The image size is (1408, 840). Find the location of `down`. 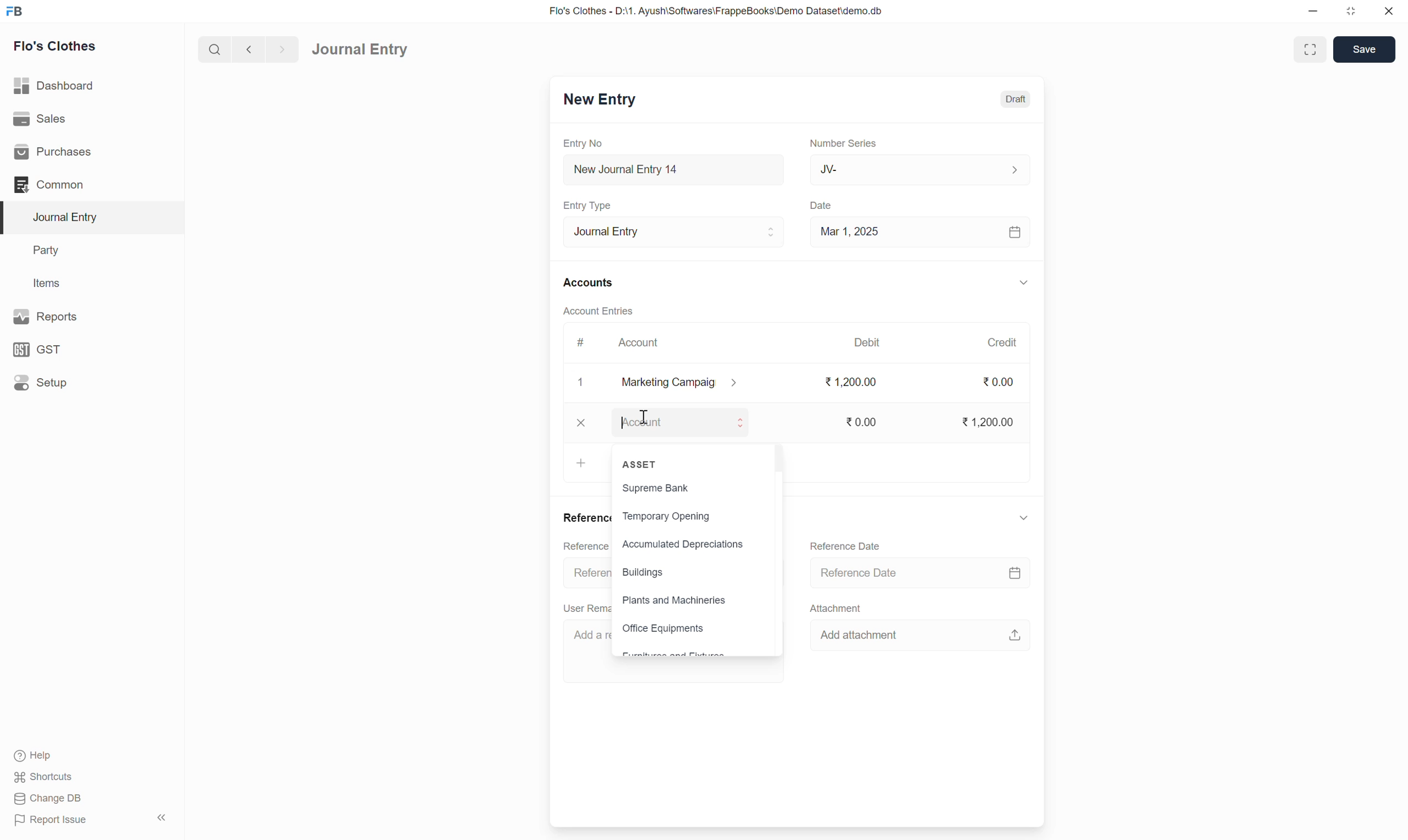

down is located at coordinates (1023, 517).